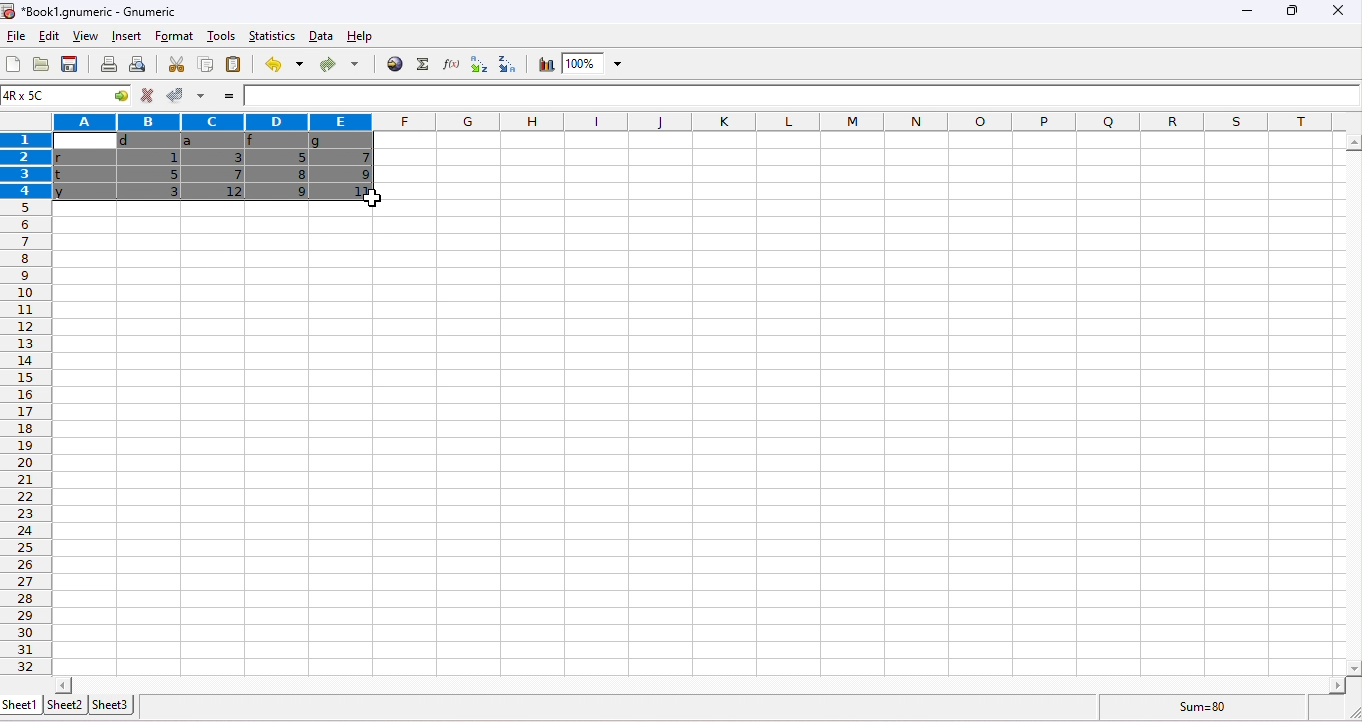  Describe the element at coordinates (509, 63) in the screenshot. I see `sort descending` at that location.